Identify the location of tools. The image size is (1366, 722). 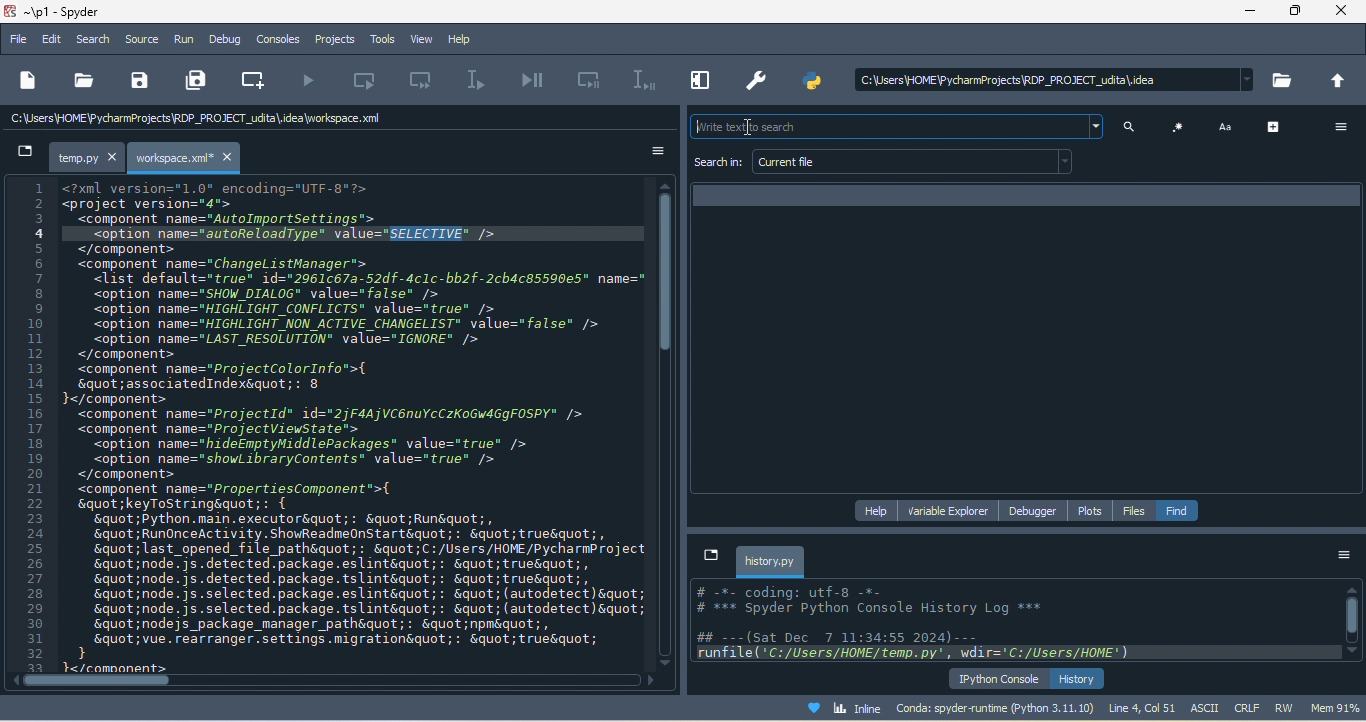
(379, 40).